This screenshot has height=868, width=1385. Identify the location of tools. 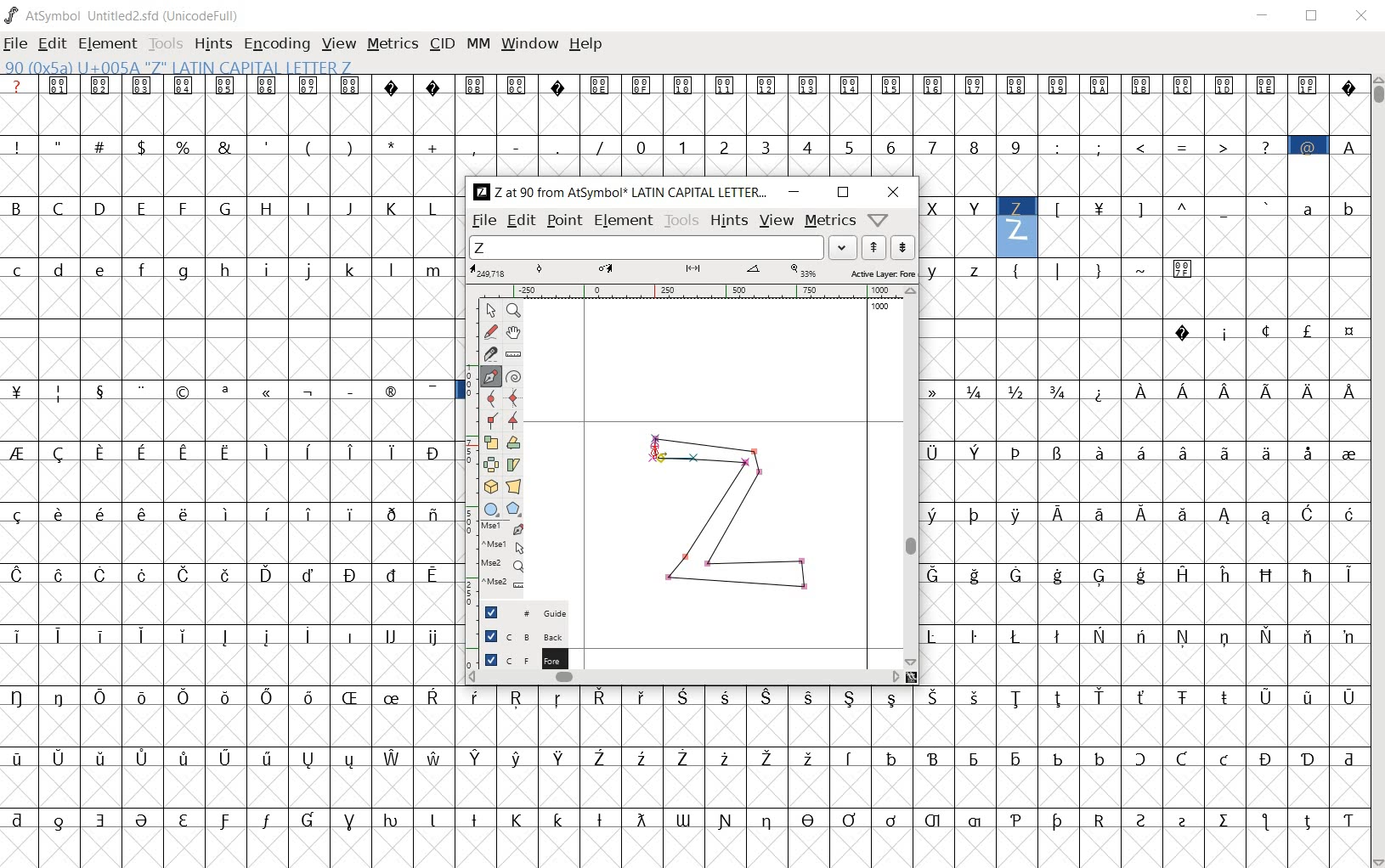
(682, 221).